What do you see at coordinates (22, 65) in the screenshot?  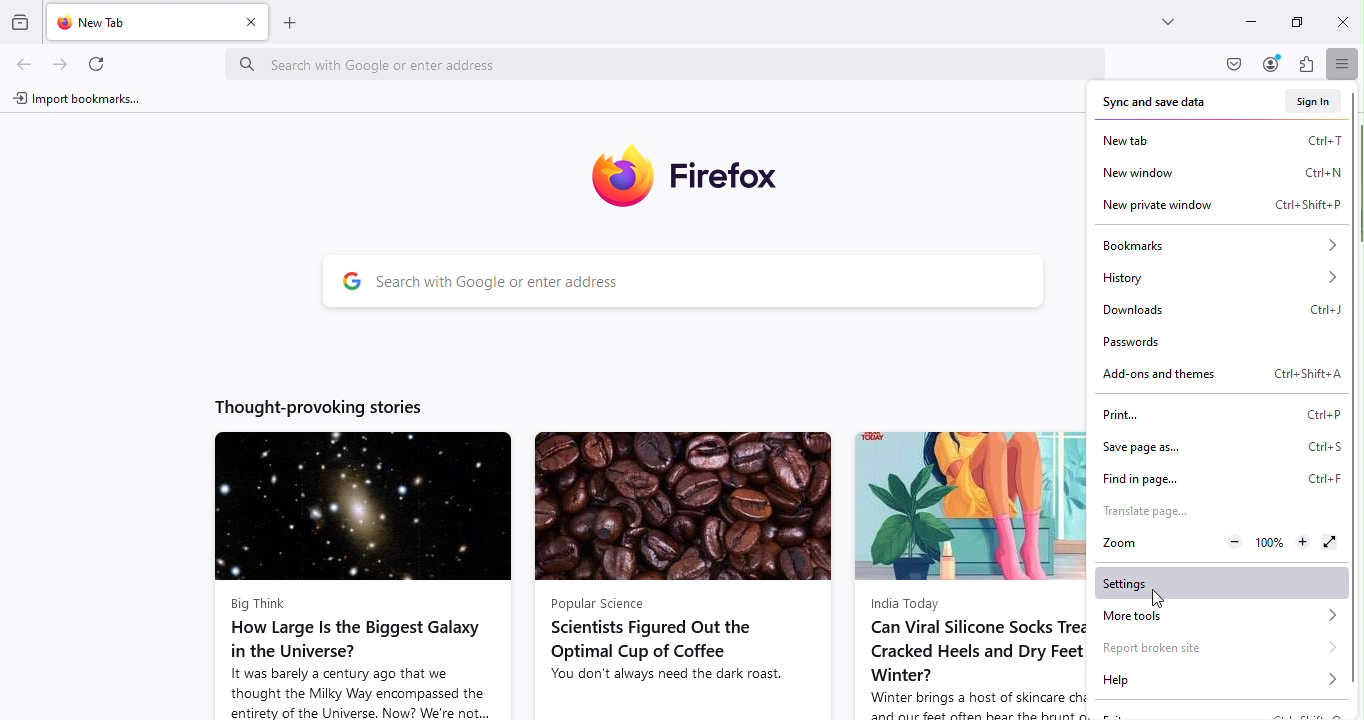 I see `Go back one page` at bounding box center [22, 65].